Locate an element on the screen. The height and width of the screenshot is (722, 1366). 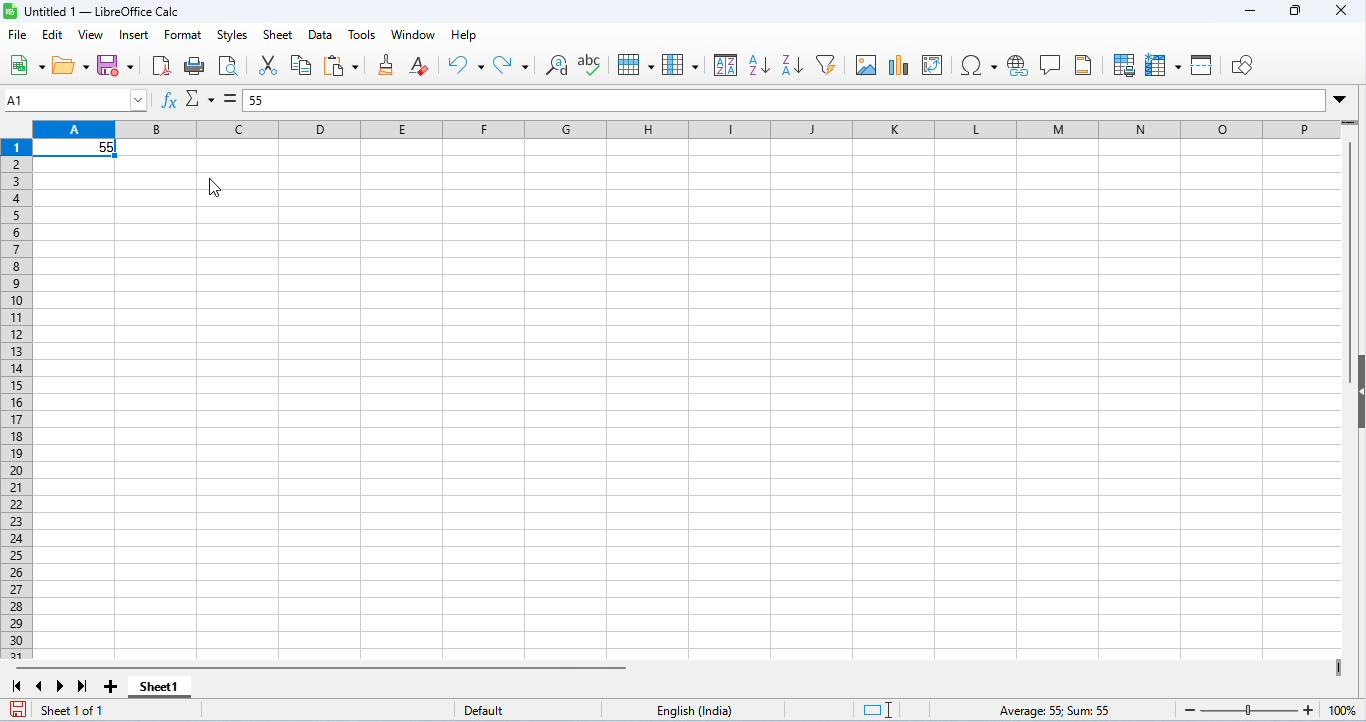
copy is located at coordinates (303, 65).